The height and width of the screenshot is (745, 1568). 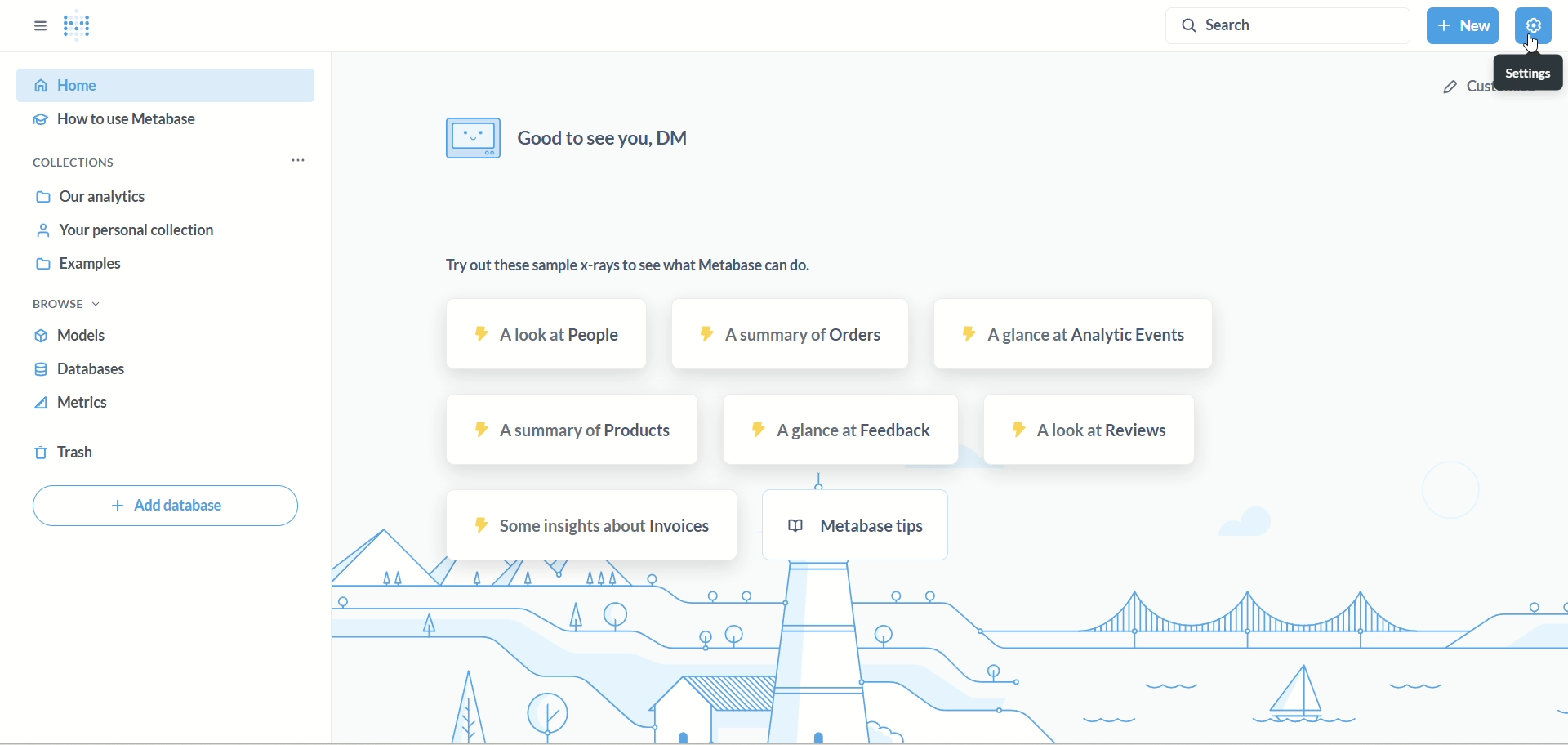 I want to click on text, so click(x=572, y=140).